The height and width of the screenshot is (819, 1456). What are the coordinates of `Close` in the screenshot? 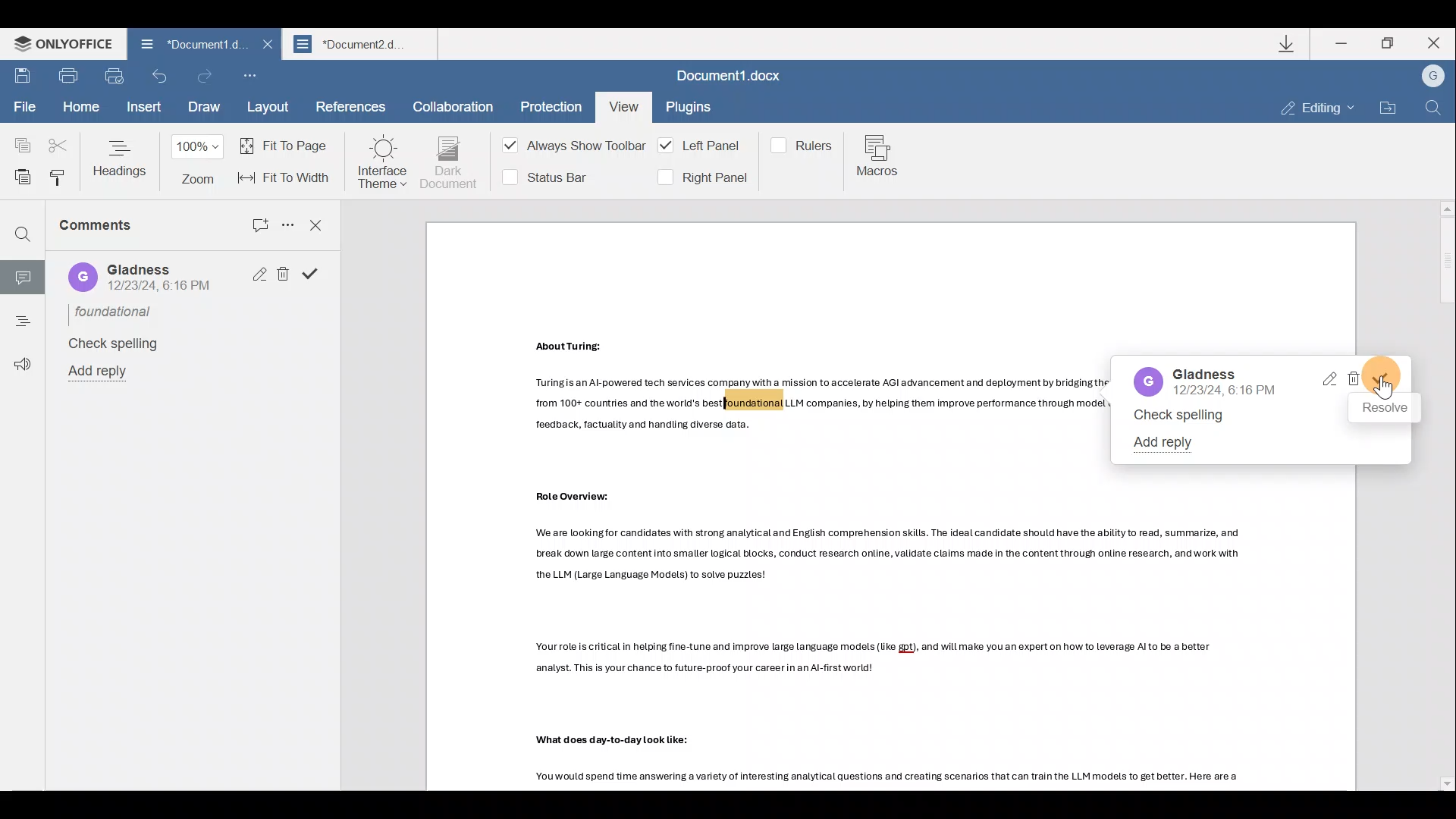 It's located at (265, 49).